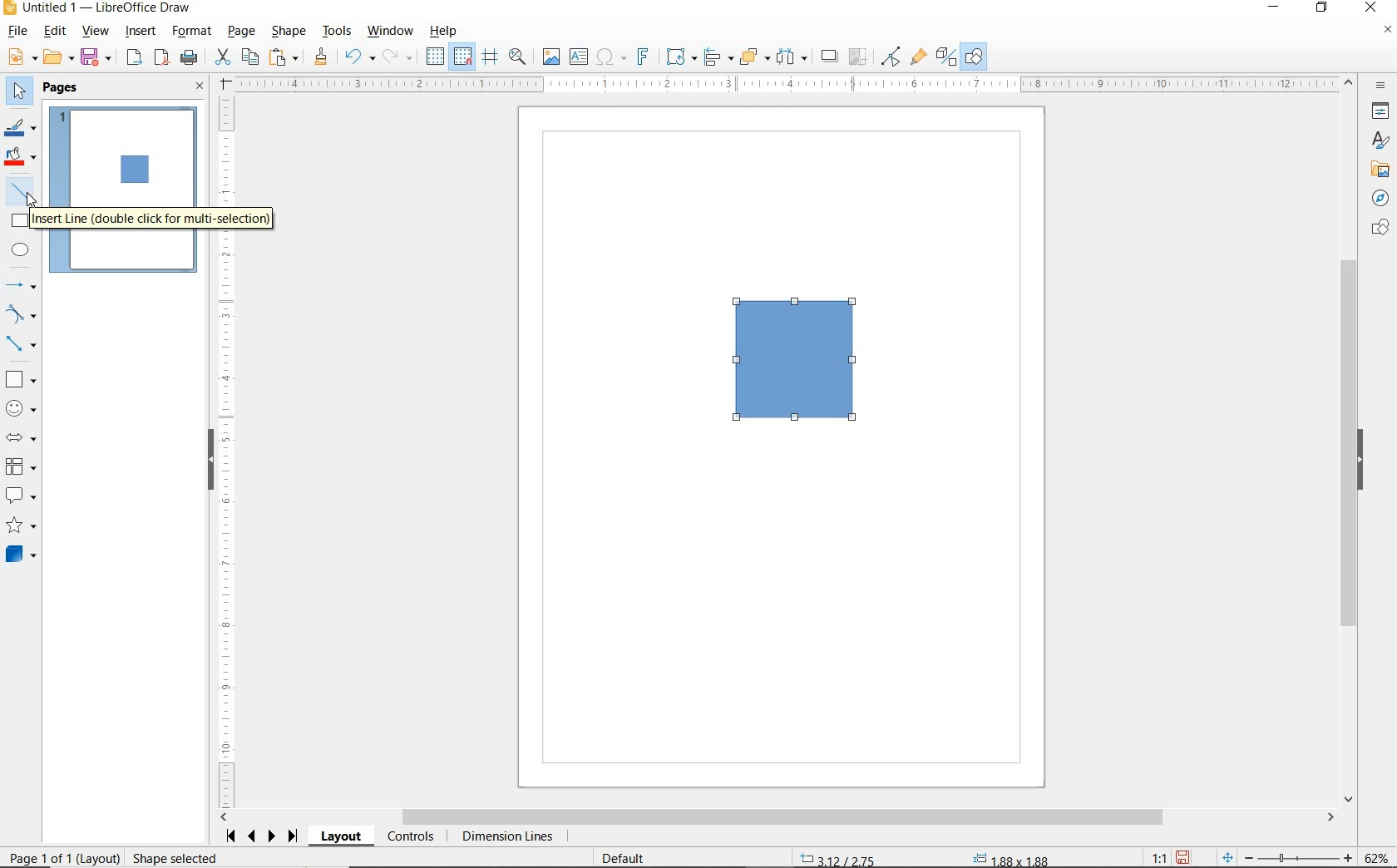  What do you see at coordinates (642, 57) in the screenshot?
I see `INSERT FRONTWORK TEXT` at bounding box center [642, 57].